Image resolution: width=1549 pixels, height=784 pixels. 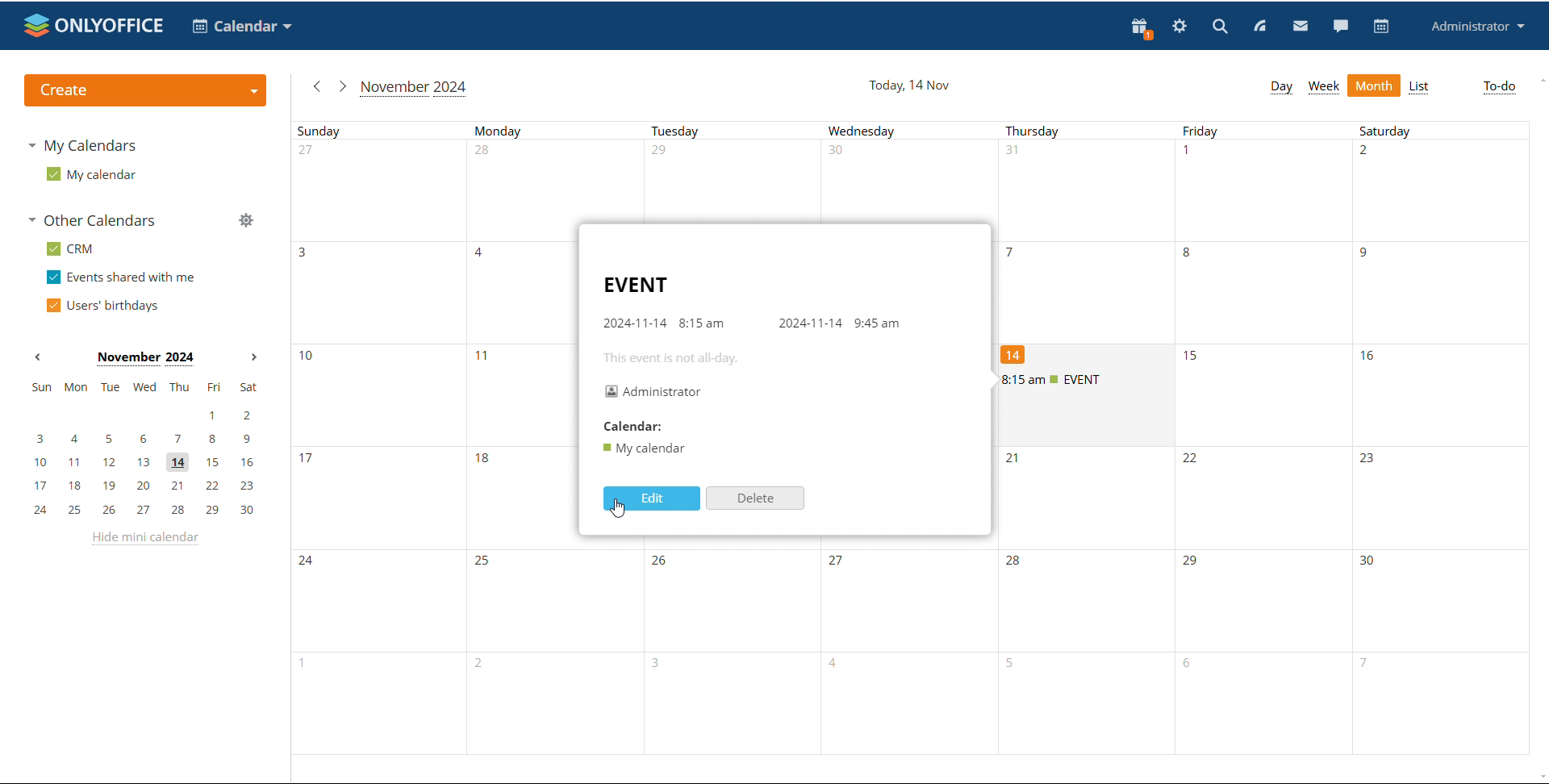 What do you see at coordinates (919, 602) in the screenshot?
I see `Tuesdays` at bounding box center [919, 602].